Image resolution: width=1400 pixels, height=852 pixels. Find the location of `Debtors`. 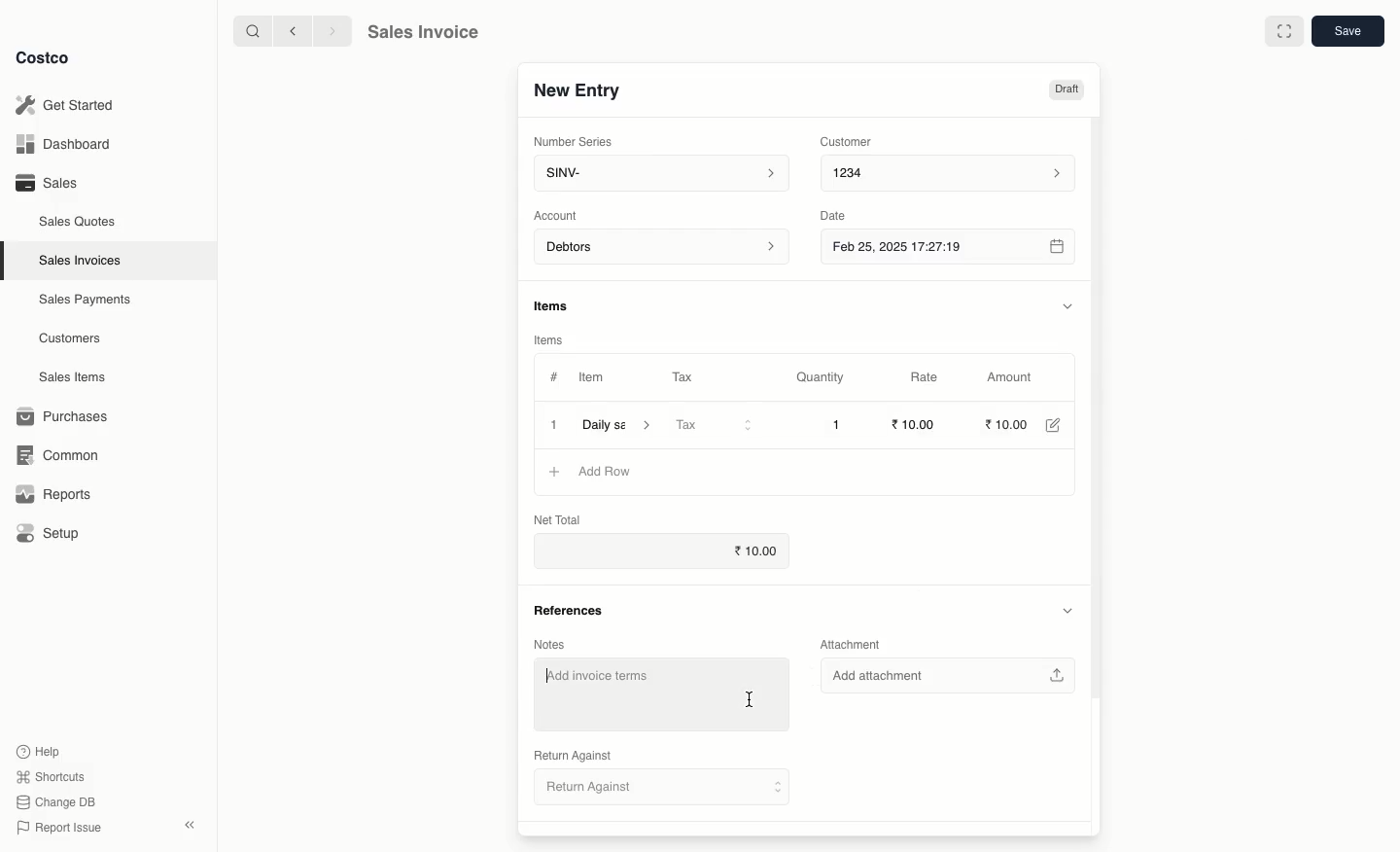

Debtors is located at coordinates (662, 248).